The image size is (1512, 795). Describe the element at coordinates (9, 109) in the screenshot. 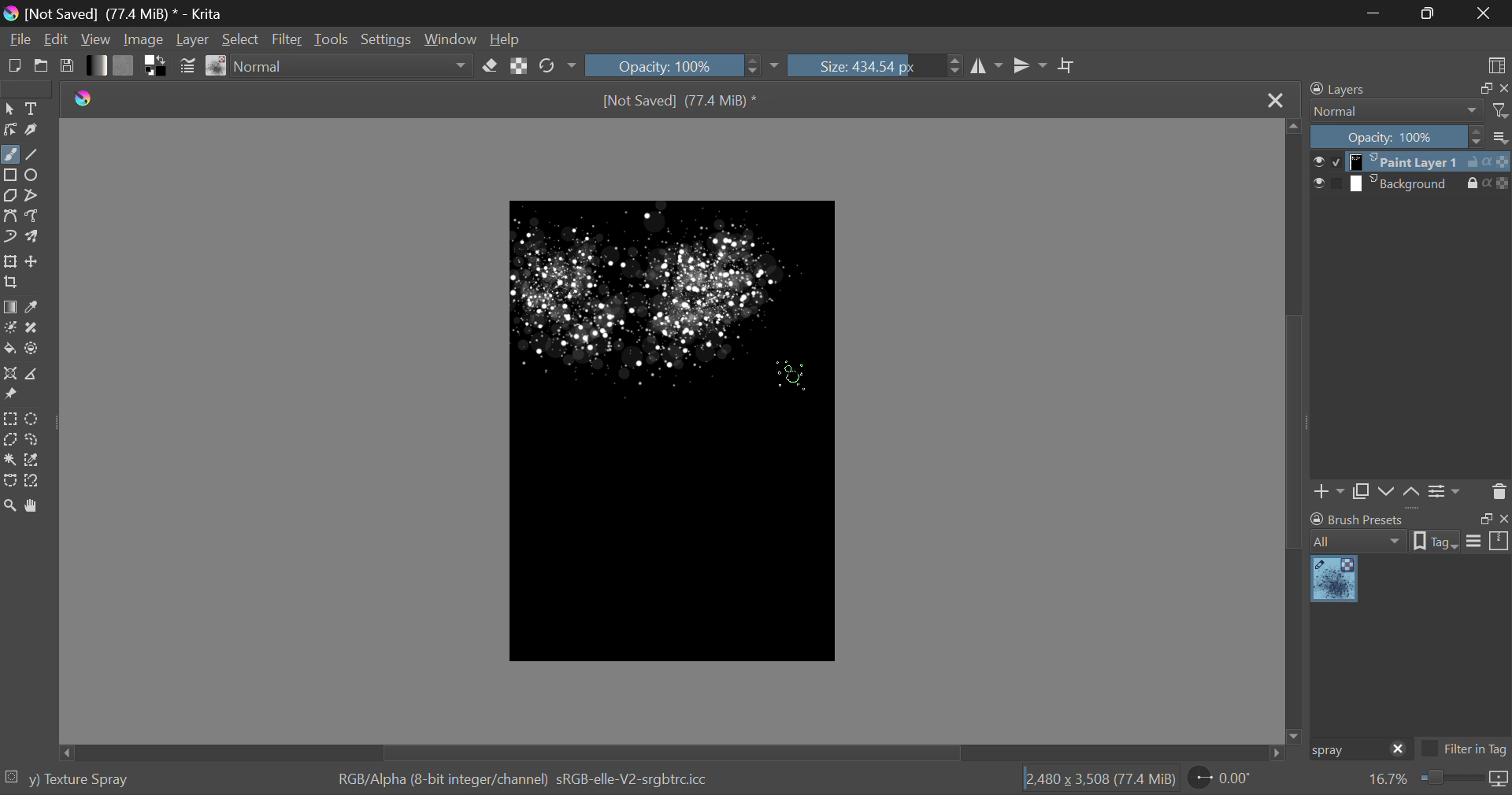

I see `Select` at that location.